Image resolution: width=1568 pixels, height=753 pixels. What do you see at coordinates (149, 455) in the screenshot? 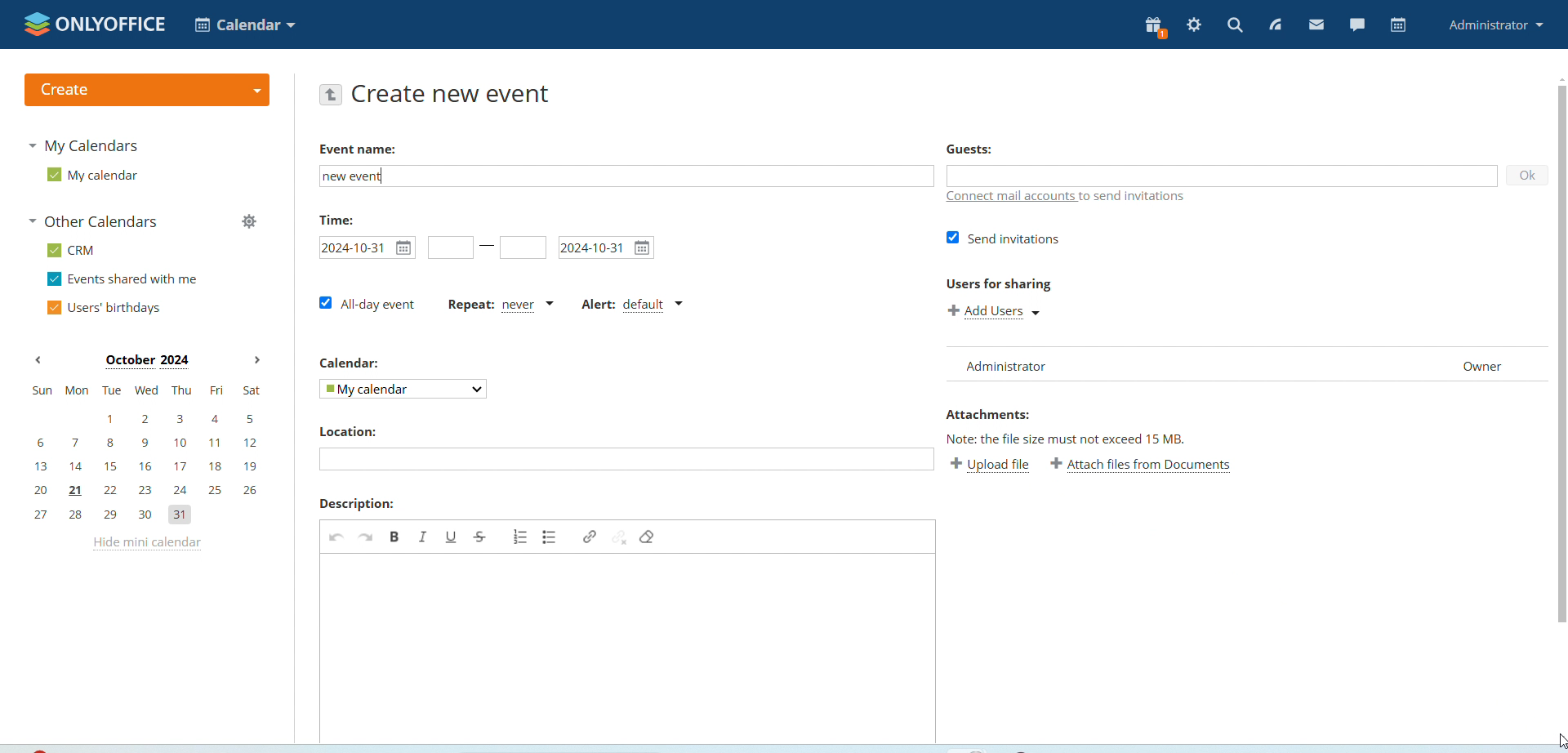
I see `mini calendar` at bounding box center [149, 455].